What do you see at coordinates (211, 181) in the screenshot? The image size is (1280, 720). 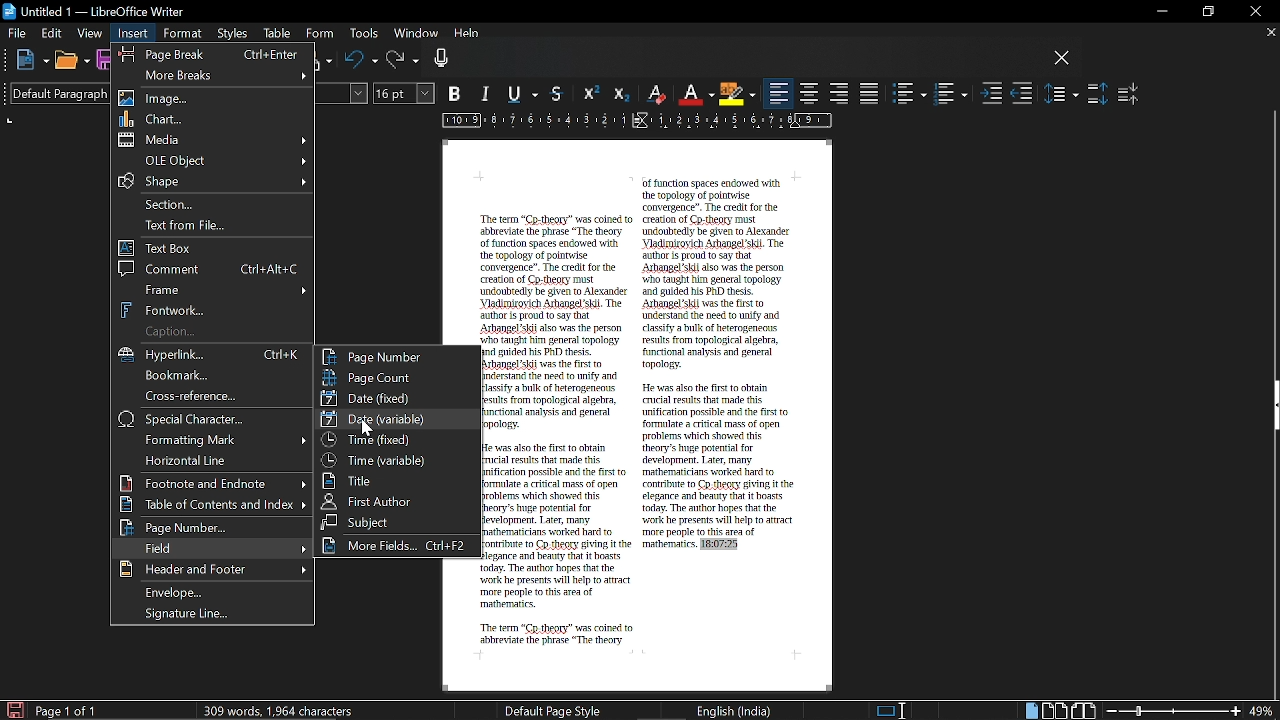 I see `Shape` at bounding box center [211, 181].